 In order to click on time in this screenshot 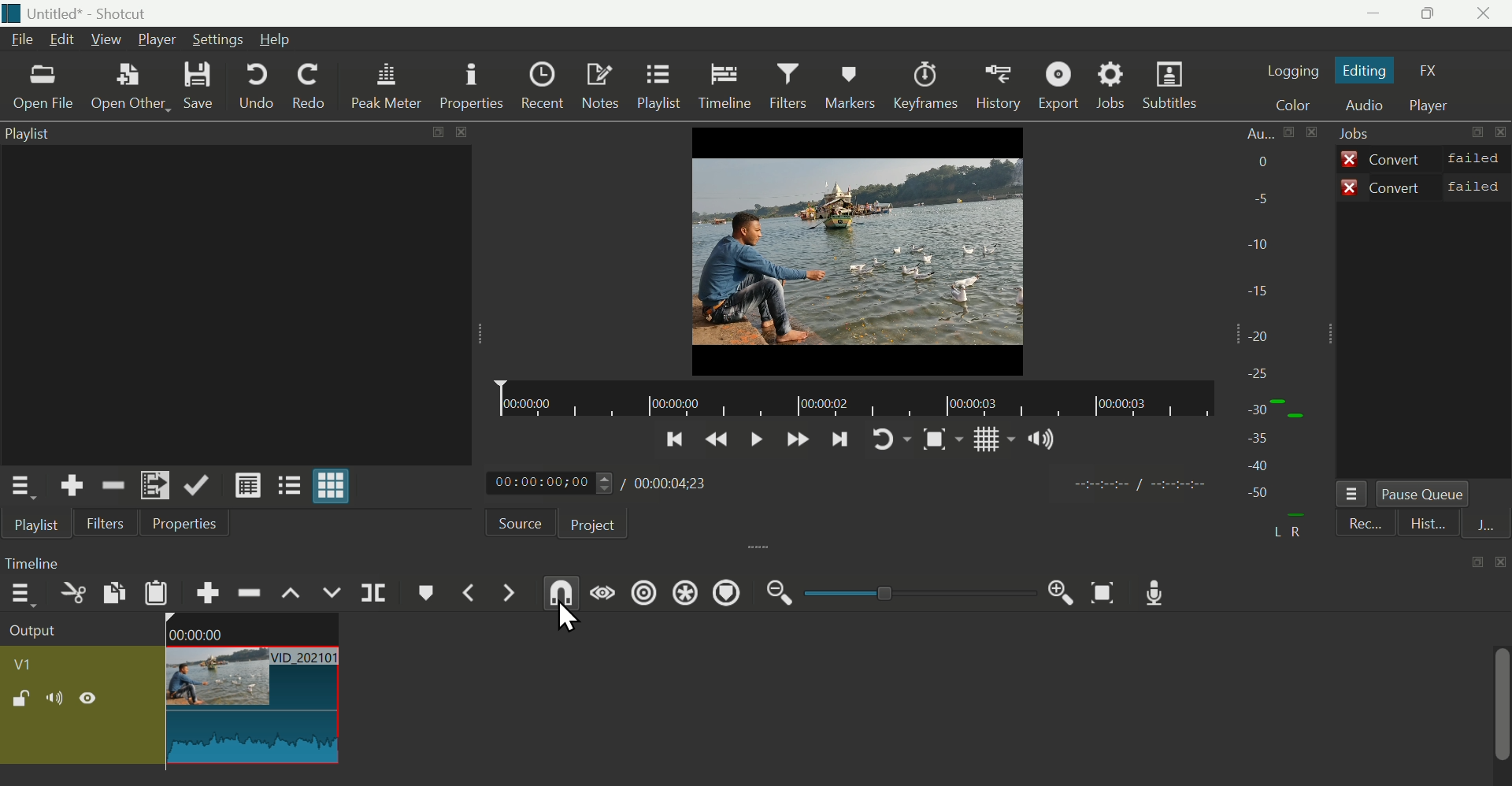, I will do `click(1128, 488)`.